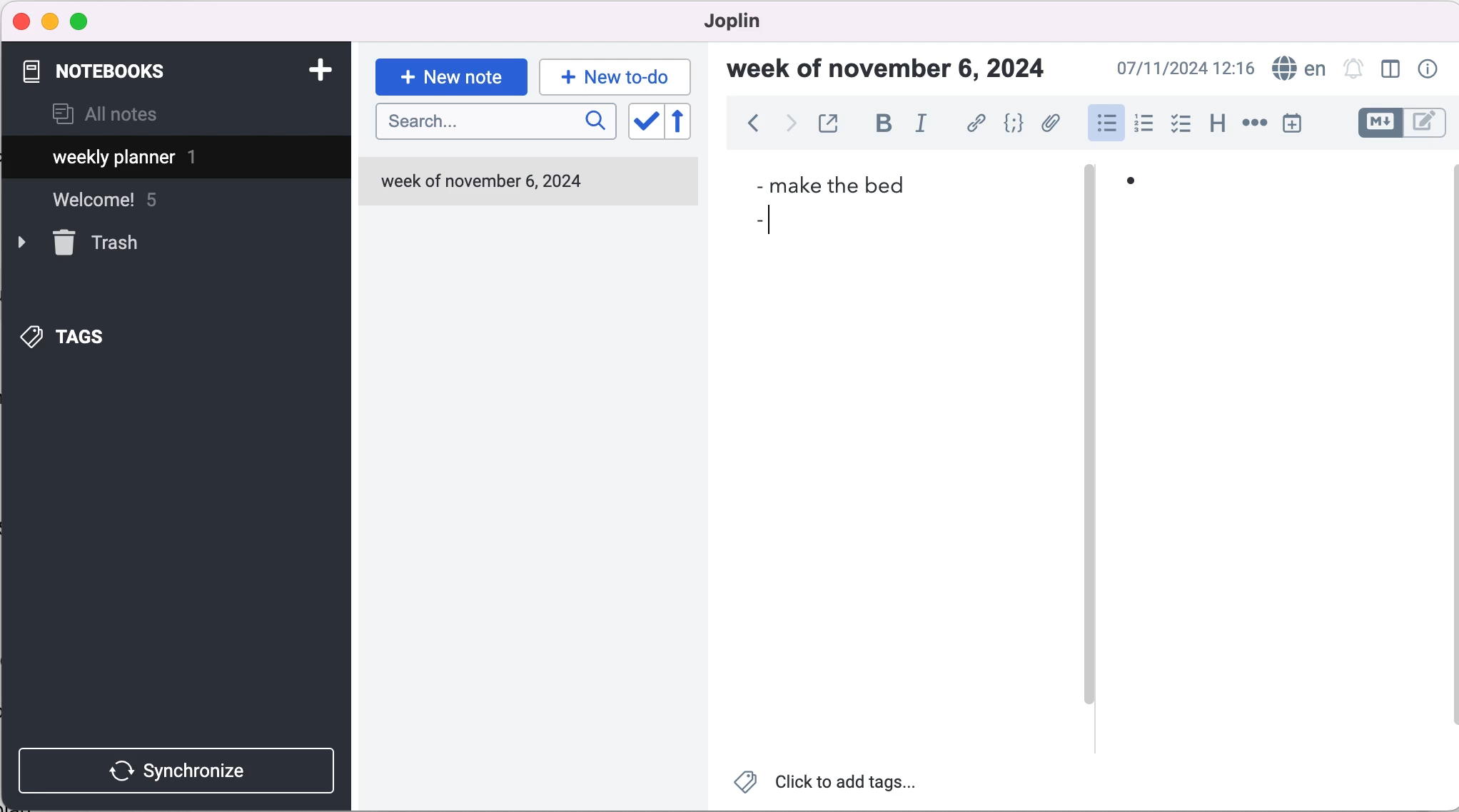 This screenshot has height=812, width=1459. I want to click on new note, so click(451, 76).